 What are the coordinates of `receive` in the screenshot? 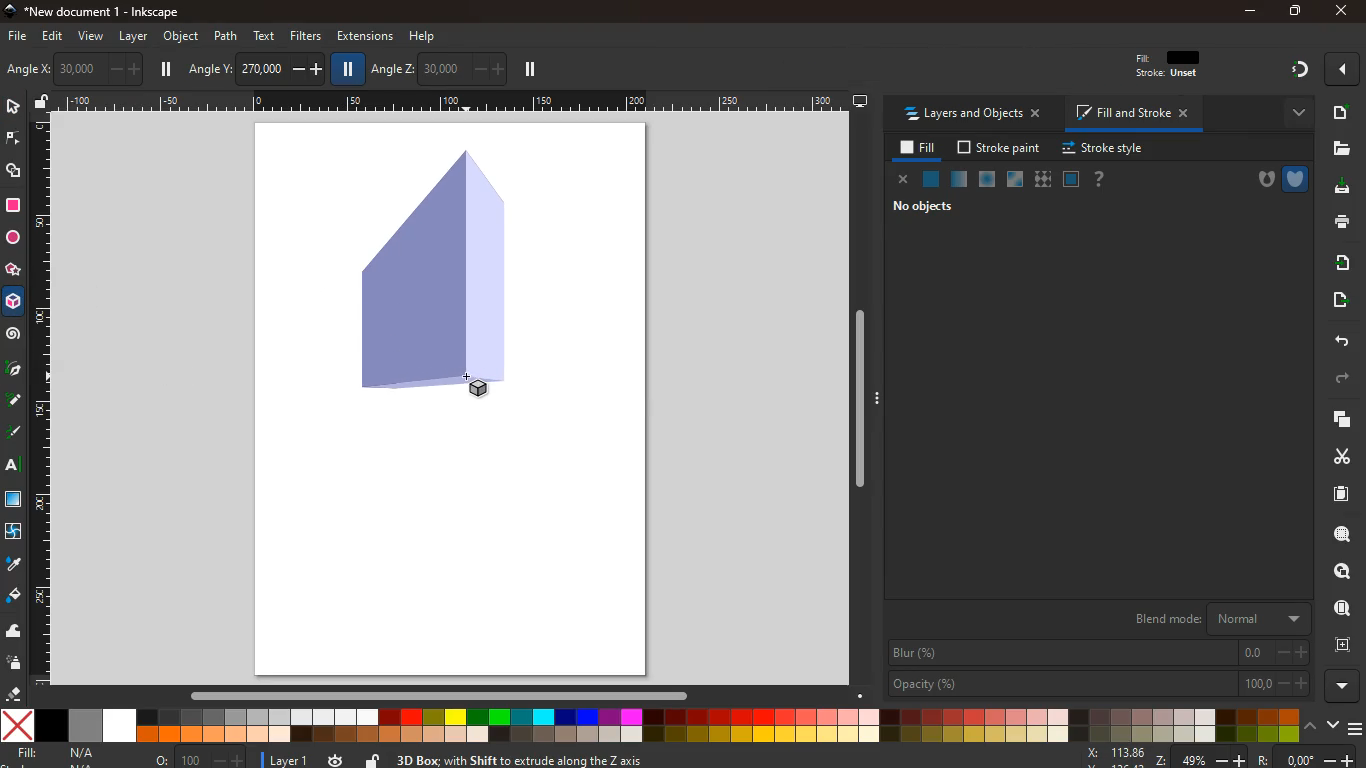 It's located at (1336, 262).